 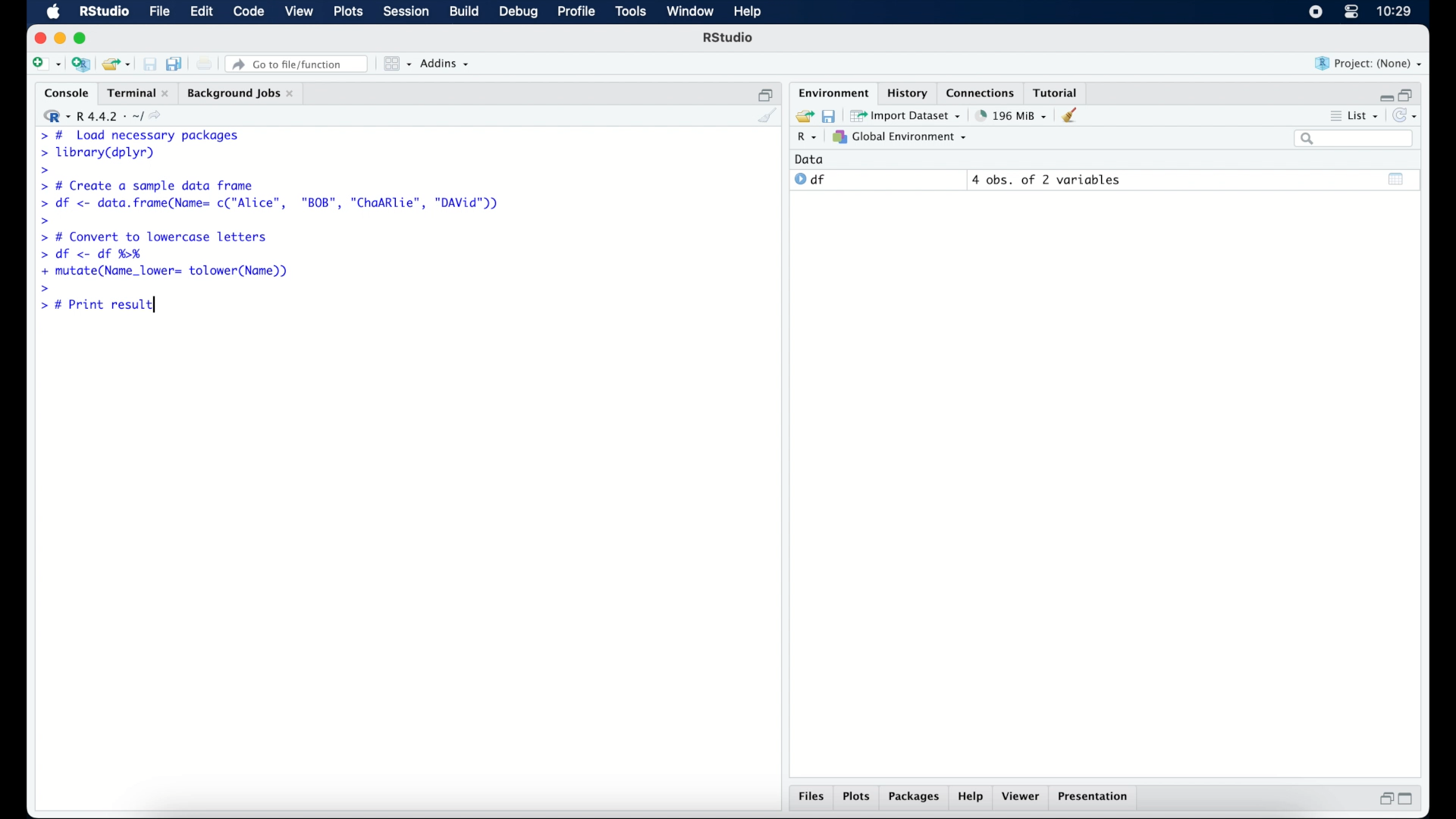 I want to click on clear console, so click(x=770, y=117).